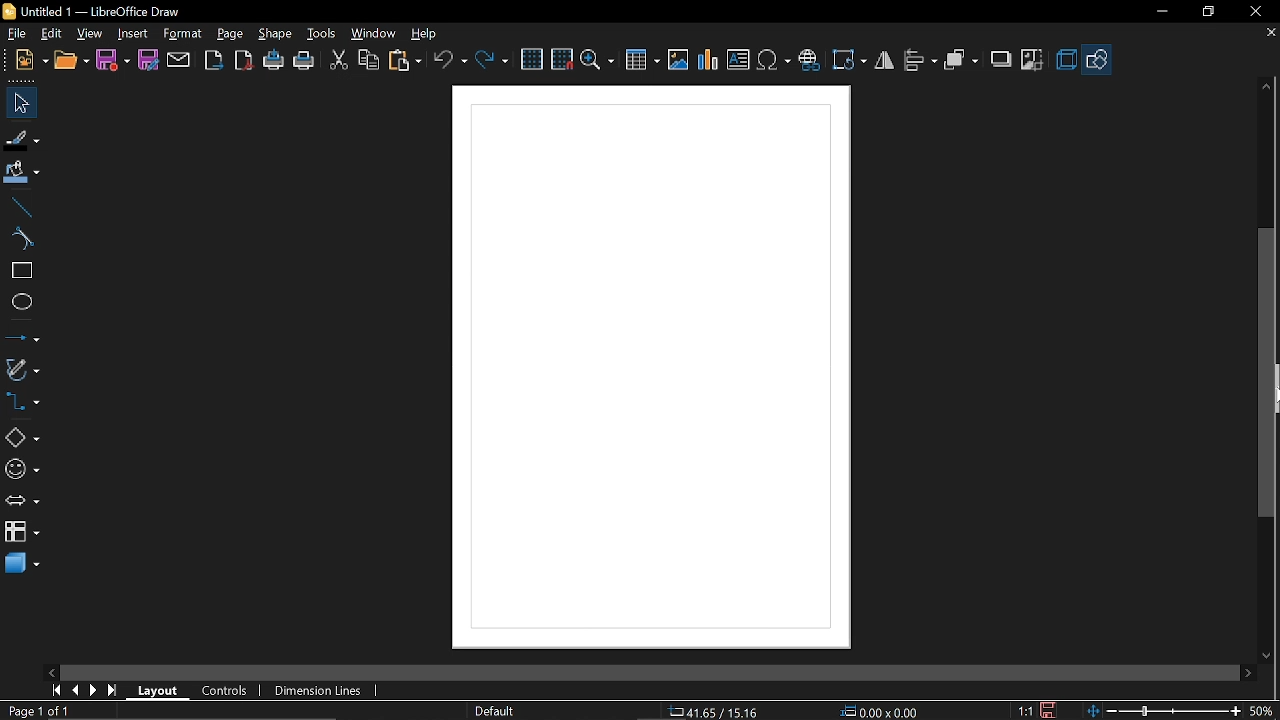  Describe the element at coordinates (847, 59) in the screenshot. I see `Transformation` at that location.